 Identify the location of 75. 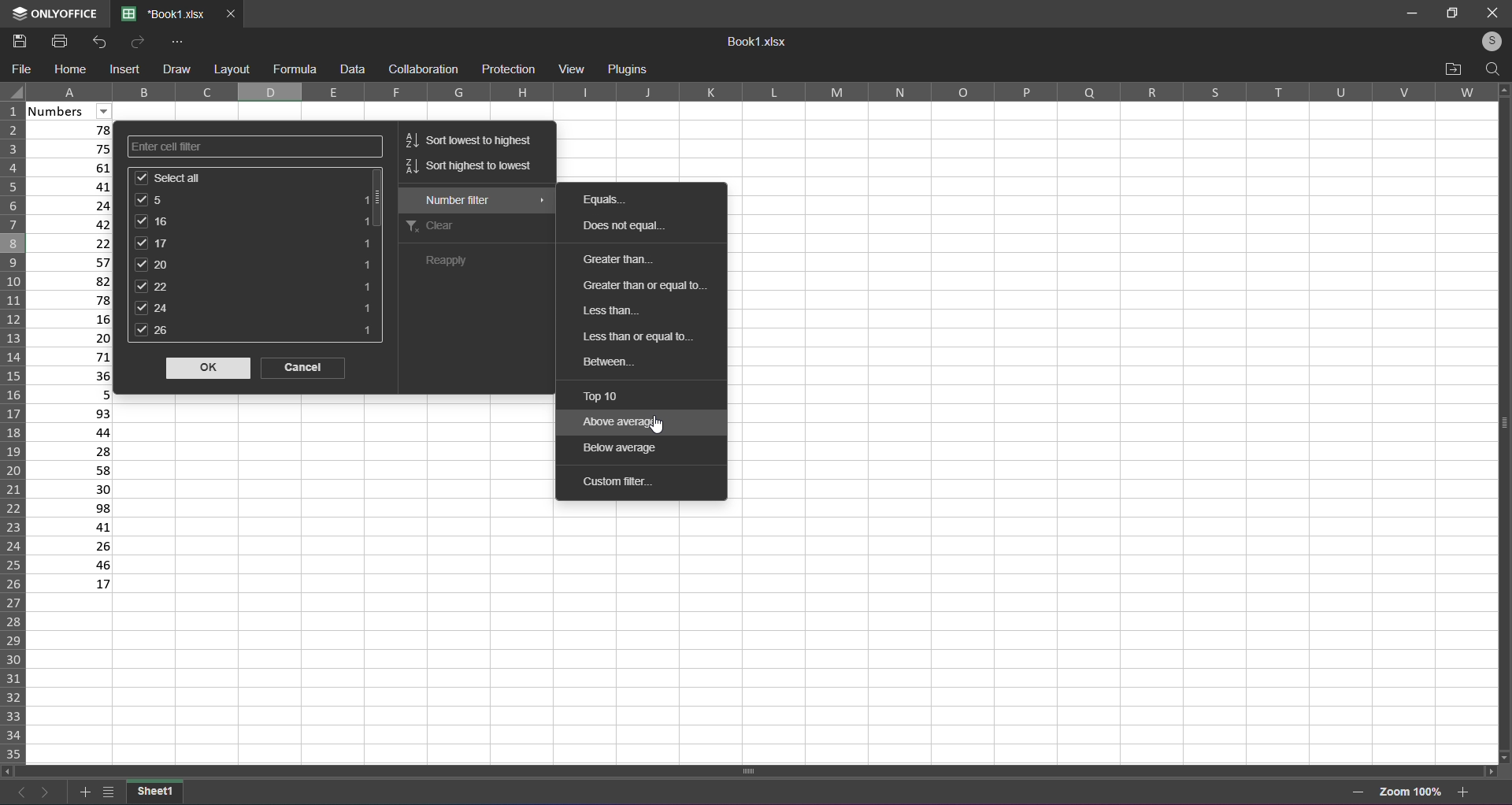
(72, 147).